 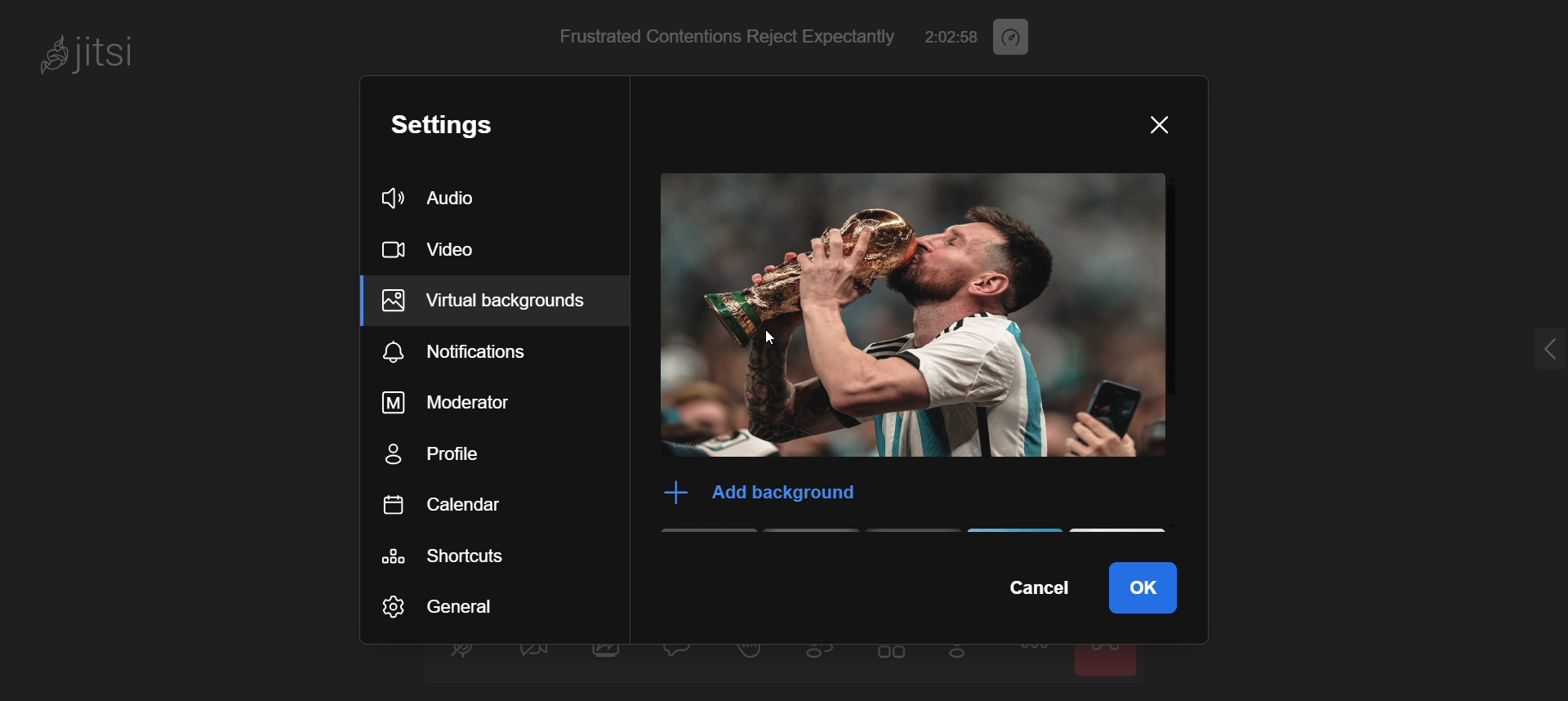 What do you see at coordinates (1152, 127) in the screenshot?
I see `close` at bounding box center [1152, 127].